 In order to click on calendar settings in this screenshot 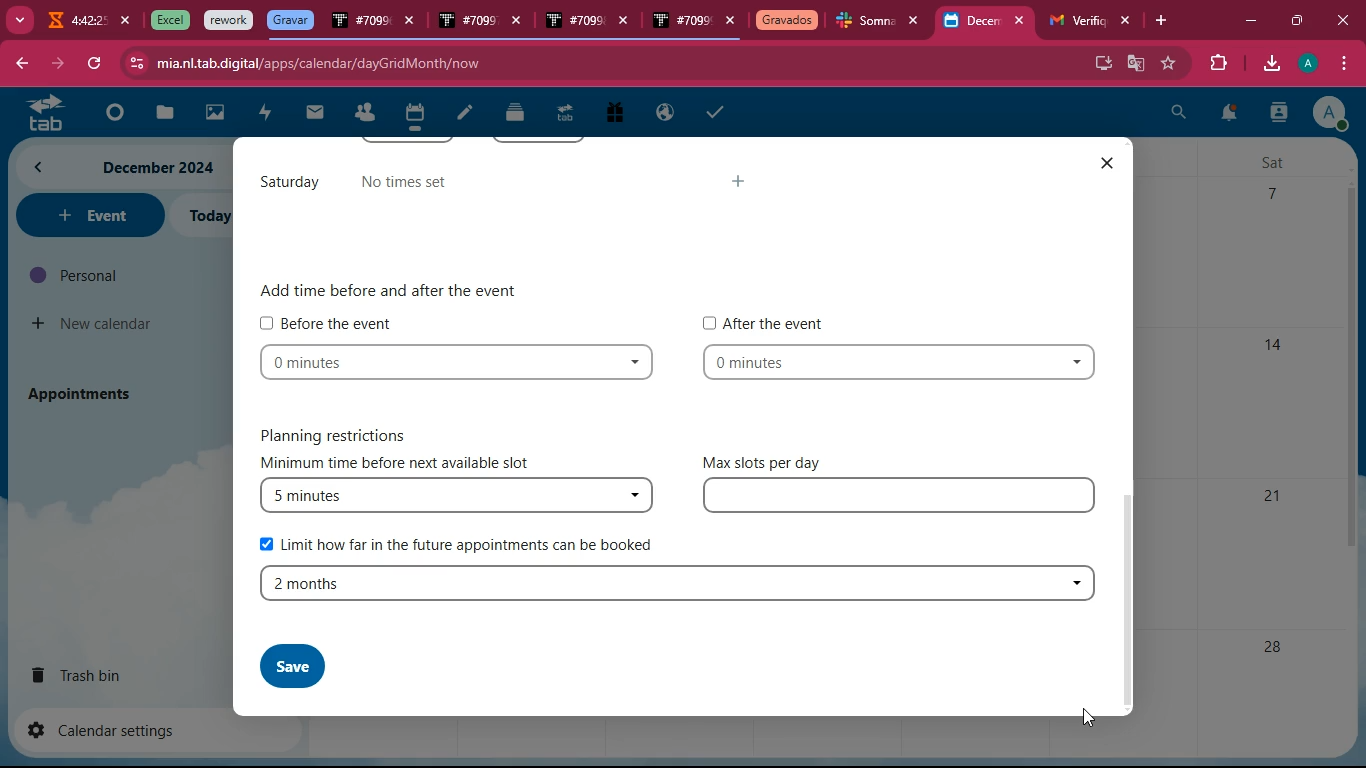, I will do `click(110, 729)`.